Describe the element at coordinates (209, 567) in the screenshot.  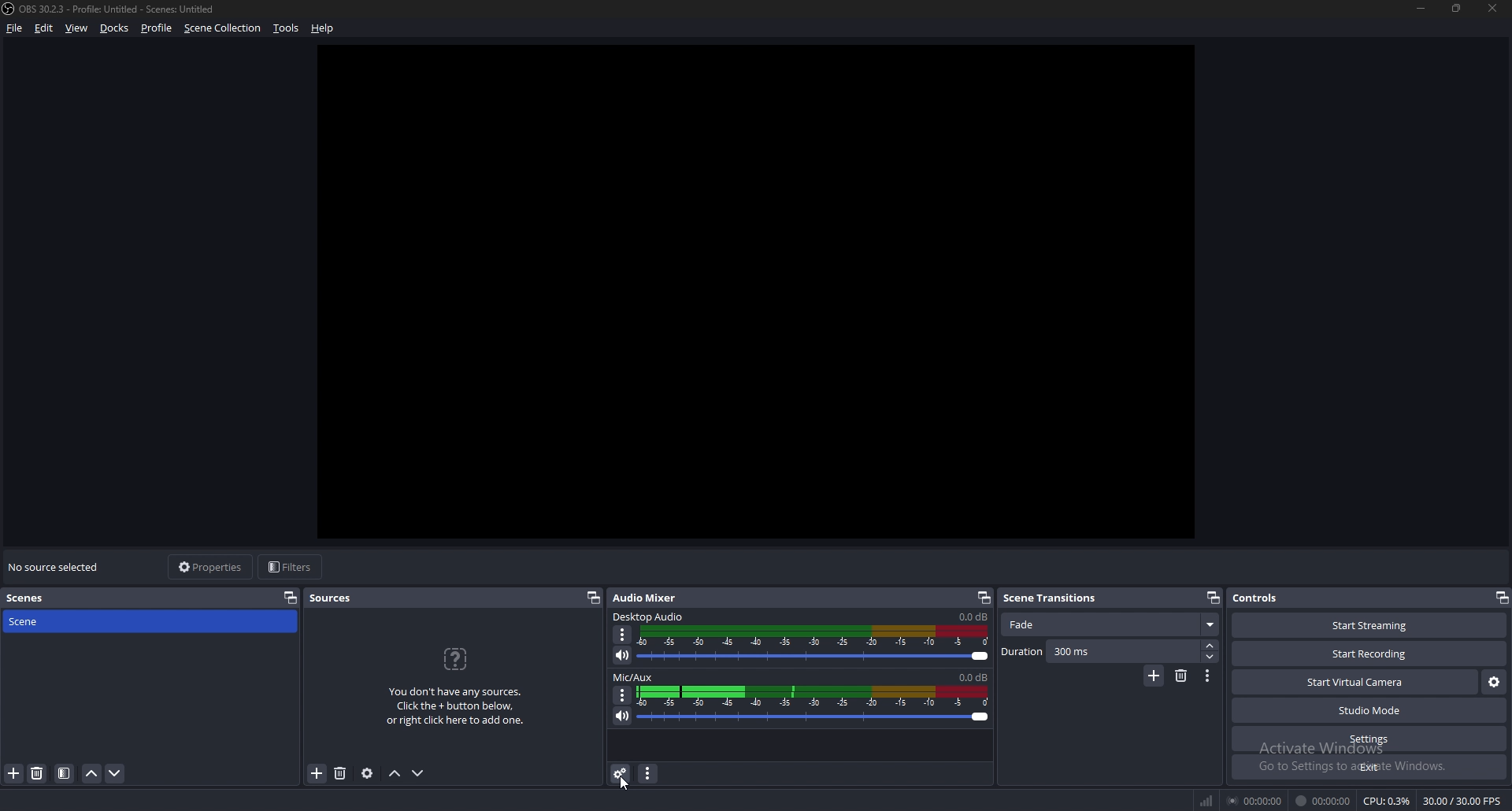
I see `properties` at that location.